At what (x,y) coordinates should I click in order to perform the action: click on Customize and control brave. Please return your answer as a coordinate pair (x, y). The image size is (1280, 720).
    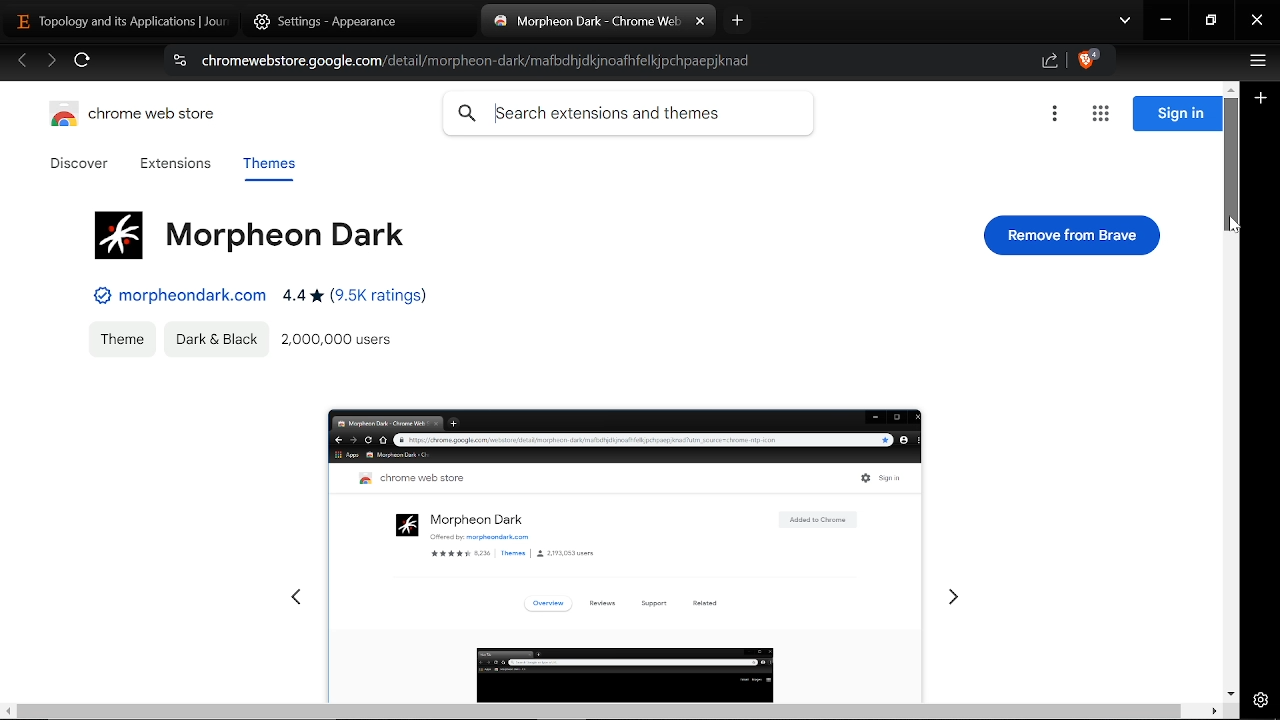
    Looking at the image, I should click on (1255, 63).